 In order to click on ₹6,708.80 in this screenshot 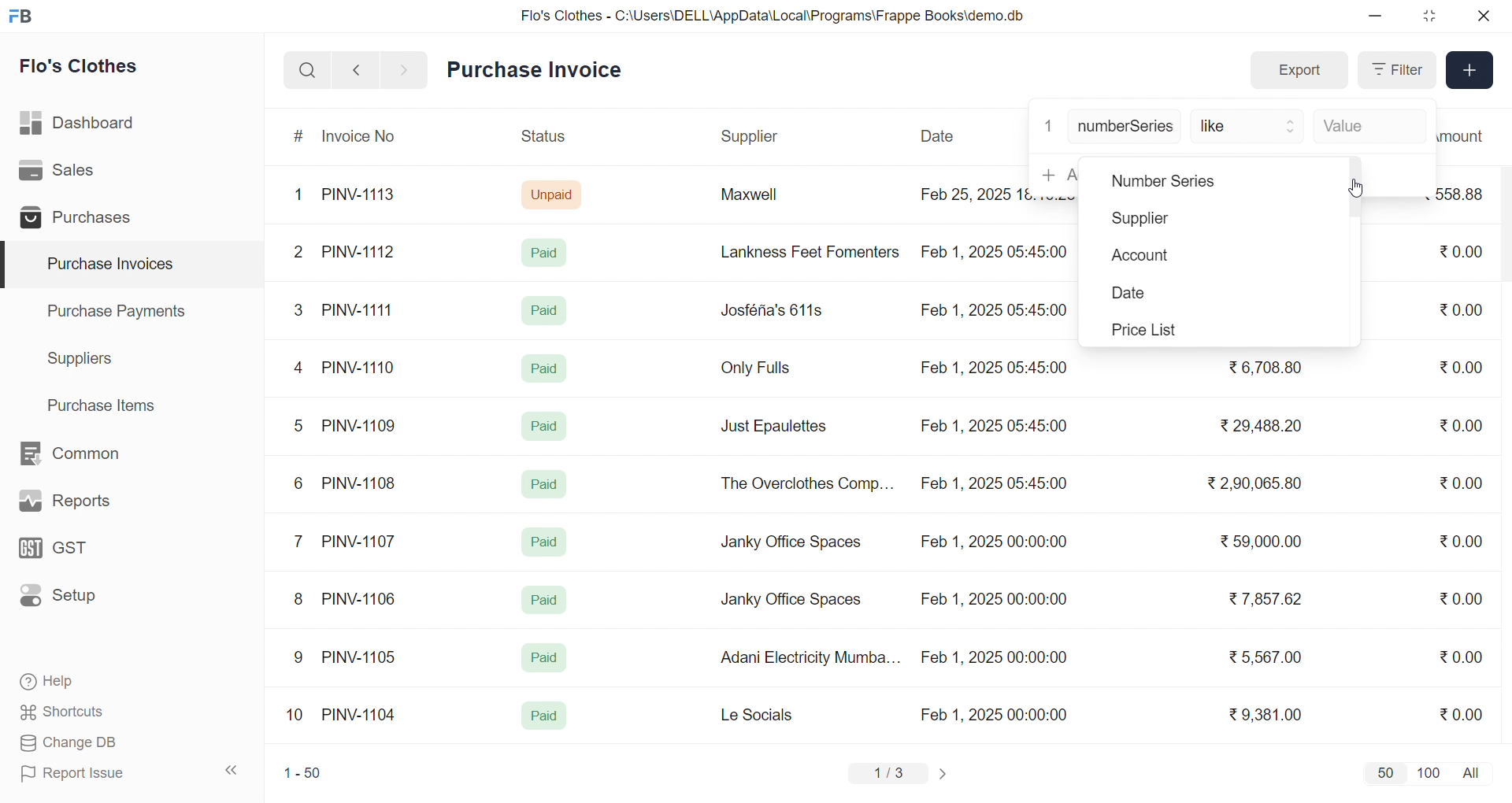, I will do `click(1265, 364)`.